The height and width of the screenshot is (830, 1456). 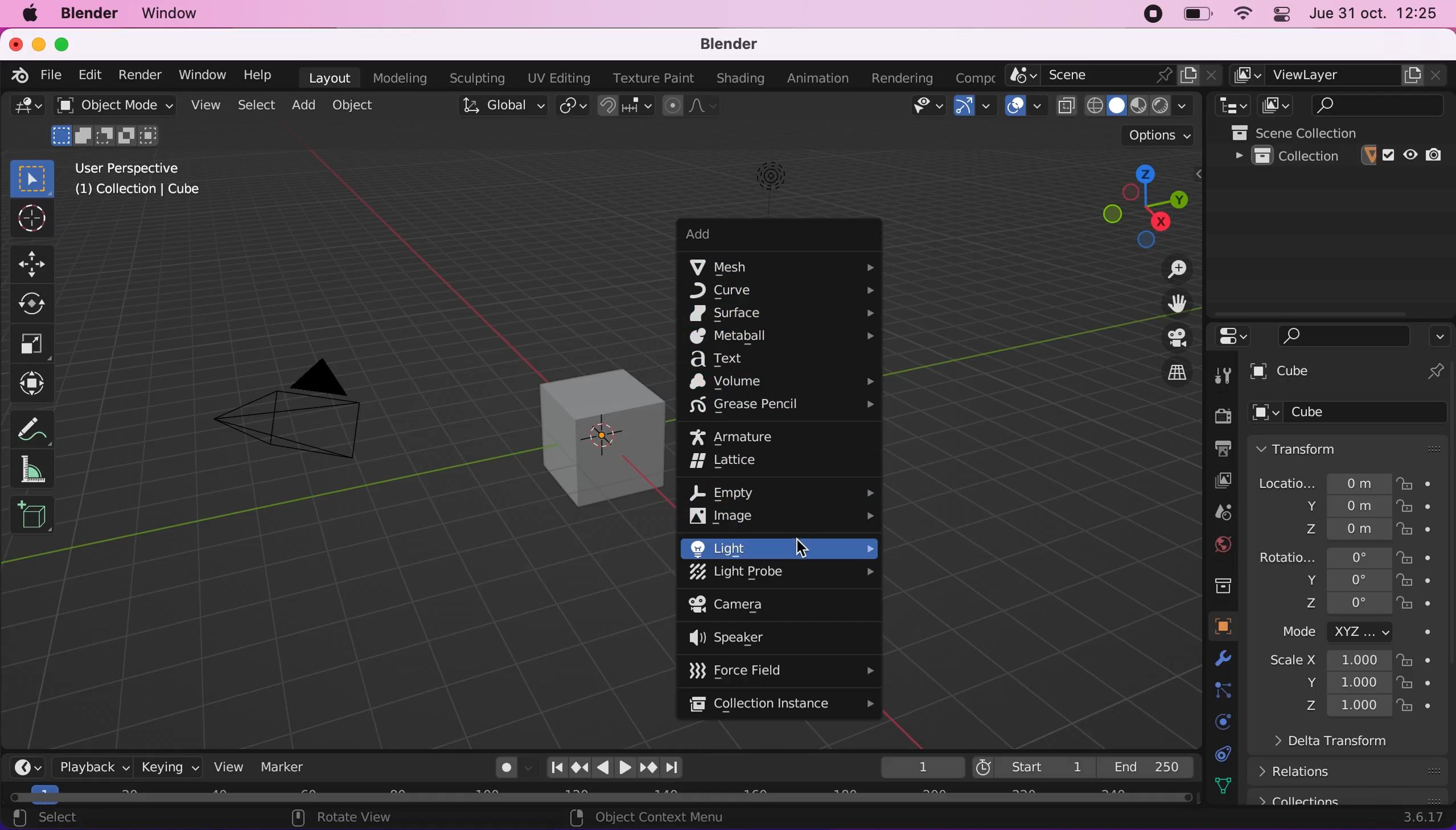 I want to click on Jump to endpoint, so click(x=556, y=766).